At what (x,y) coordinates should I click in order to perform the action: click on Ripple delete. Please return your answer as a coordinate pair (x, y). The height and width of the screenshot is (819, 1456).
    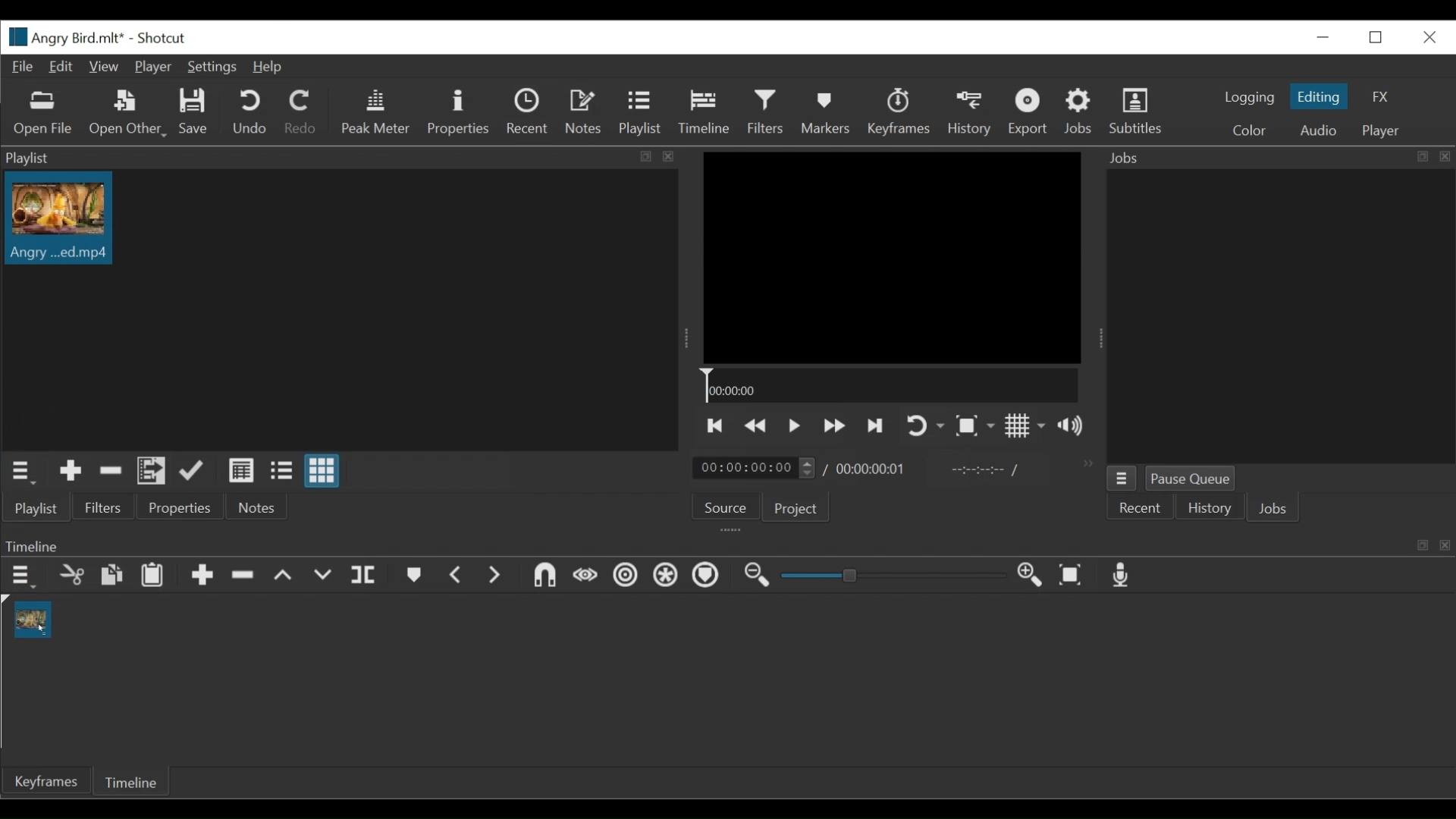
    Looking at the image, I should click on (243, 575).